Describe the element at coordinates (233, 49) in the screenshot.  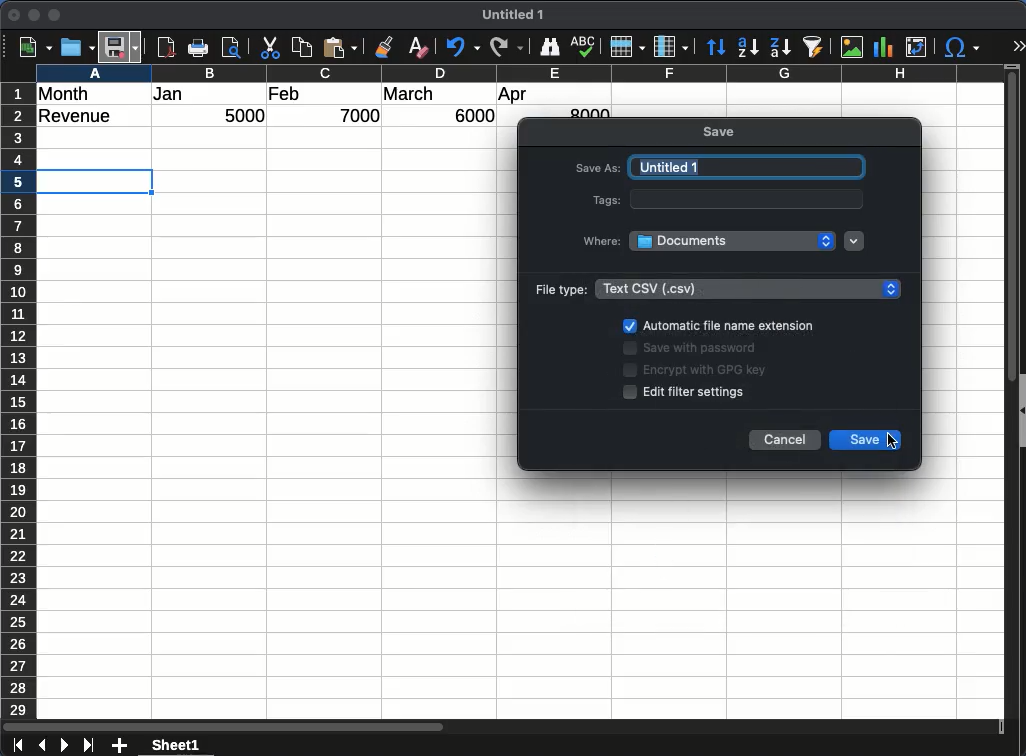
I see `print preview` at that location.